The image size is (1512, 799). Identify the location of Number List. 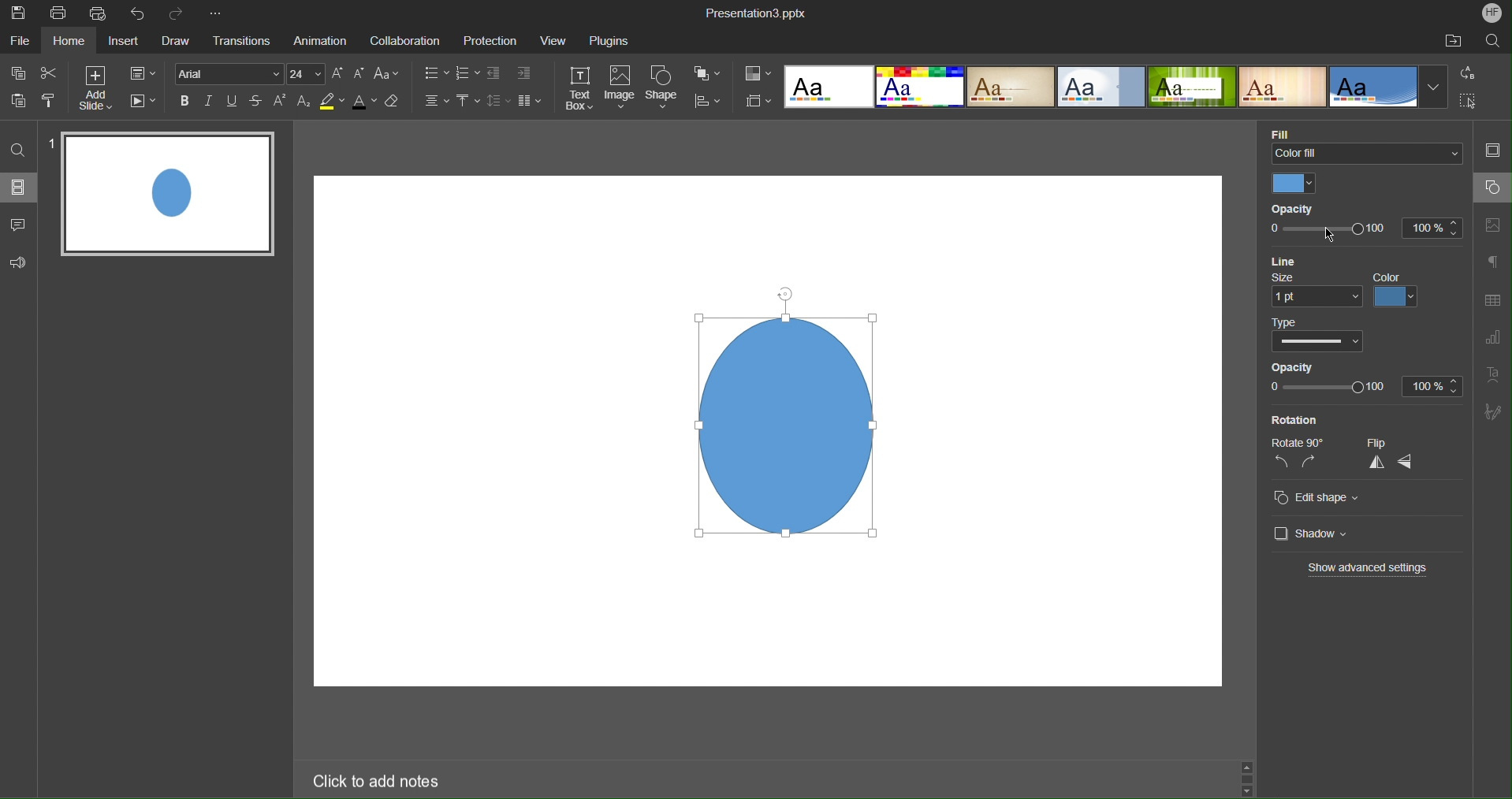
(468, 75).